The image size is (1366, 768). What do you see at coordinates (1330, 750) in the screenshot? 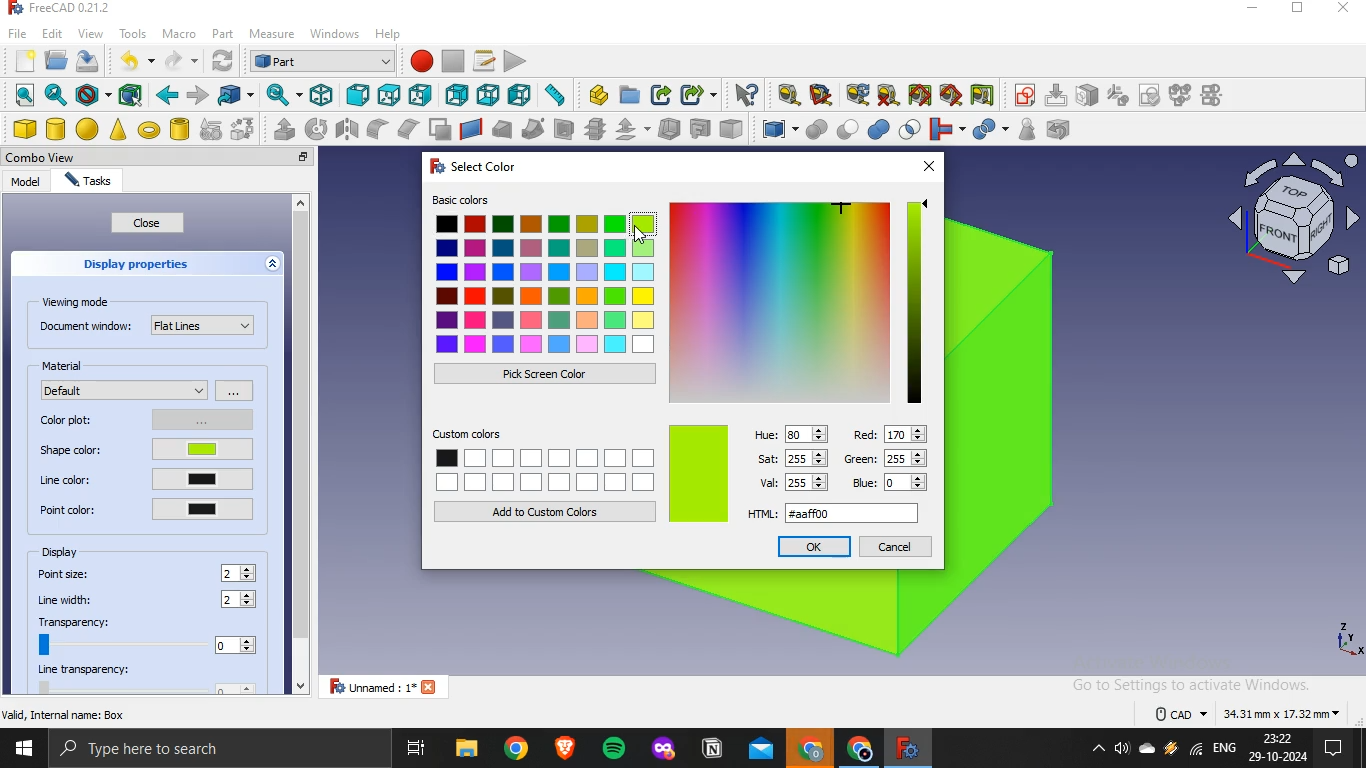
I see `notifications` at bounding box center [1330, 750].